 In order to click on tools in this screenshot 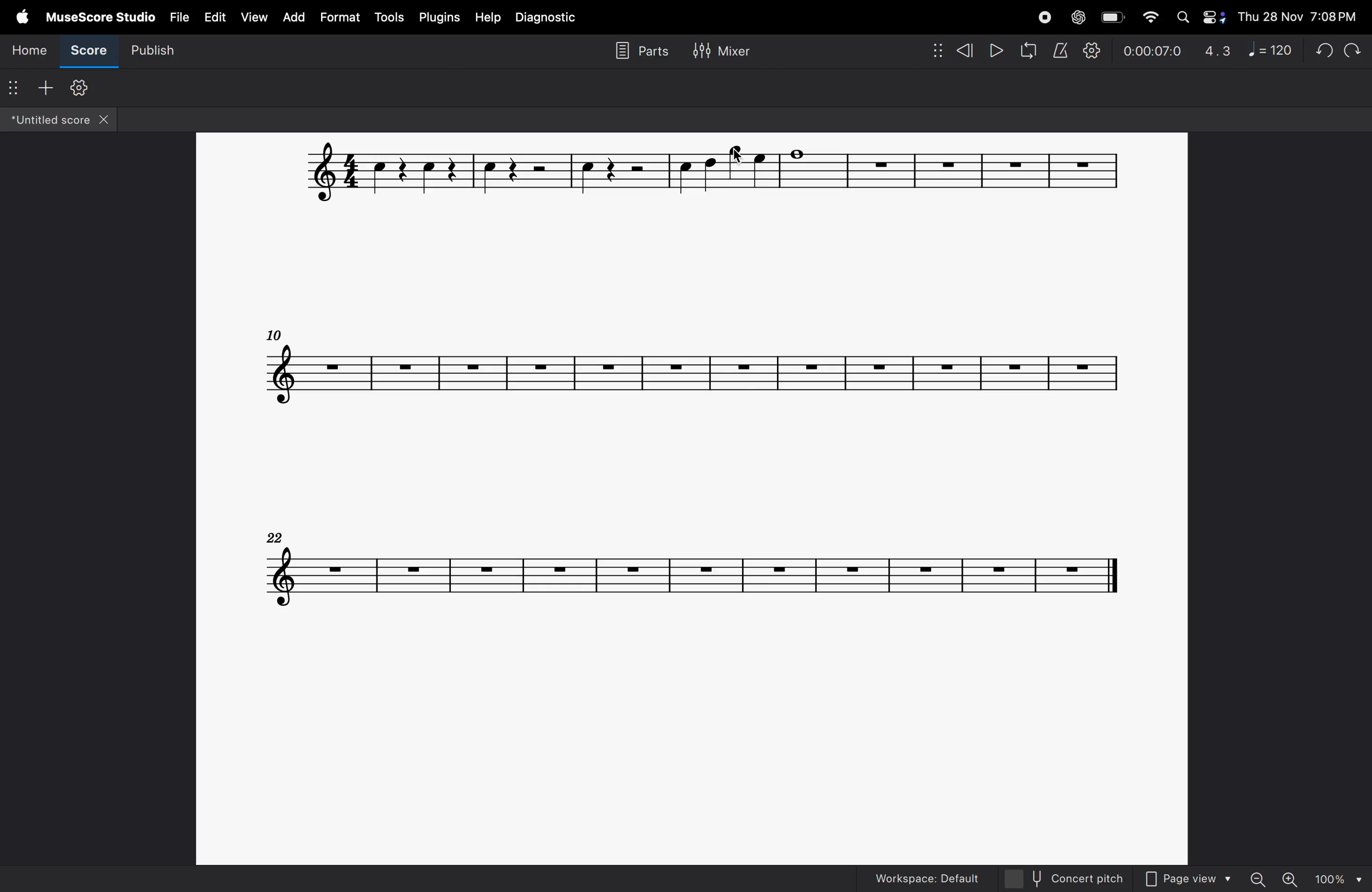, I will do `click(390, 19)`.